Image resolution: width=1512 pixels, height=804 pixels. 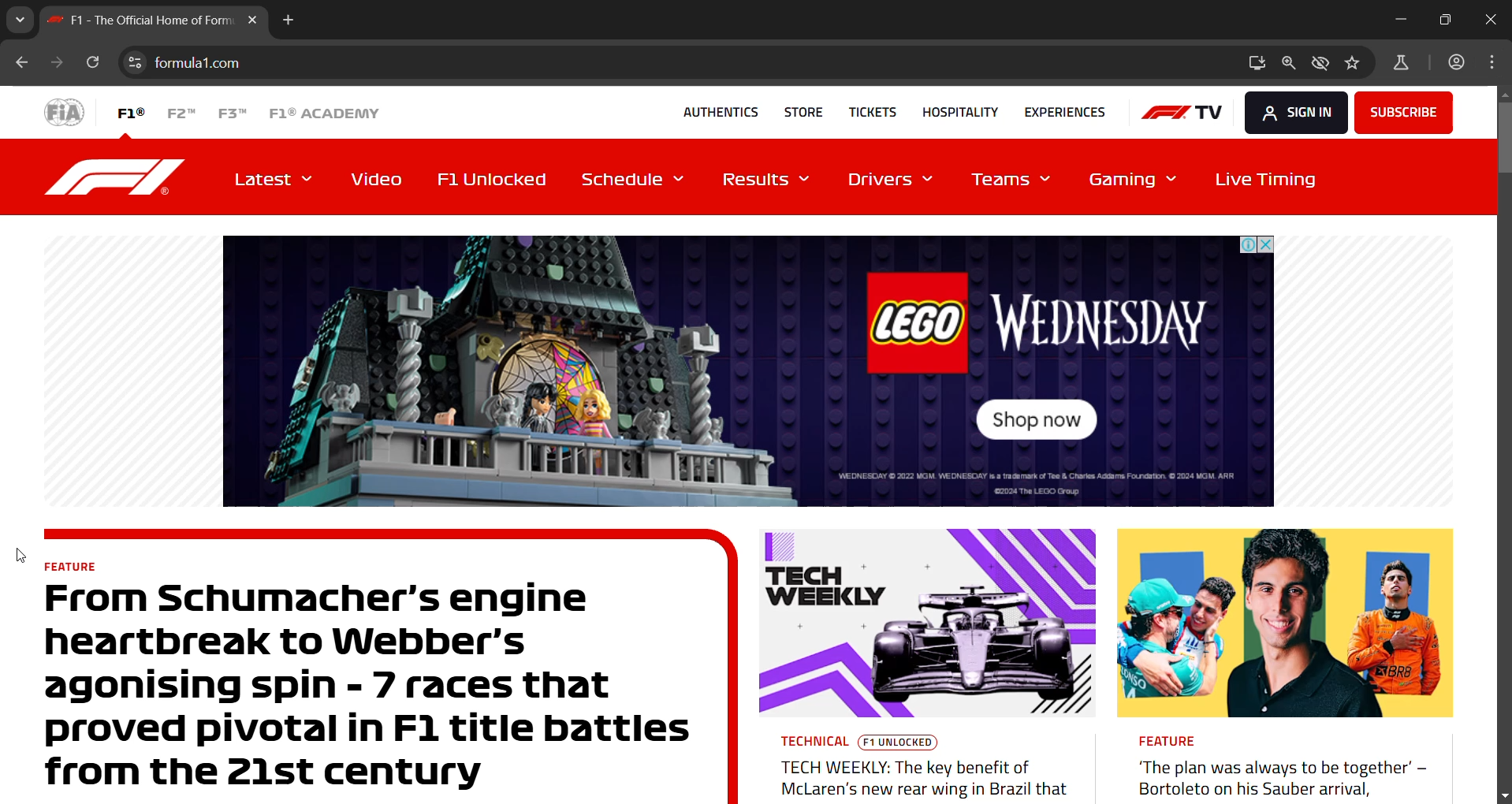 I want to click on SGN IN, so click(x=1292, y=110).